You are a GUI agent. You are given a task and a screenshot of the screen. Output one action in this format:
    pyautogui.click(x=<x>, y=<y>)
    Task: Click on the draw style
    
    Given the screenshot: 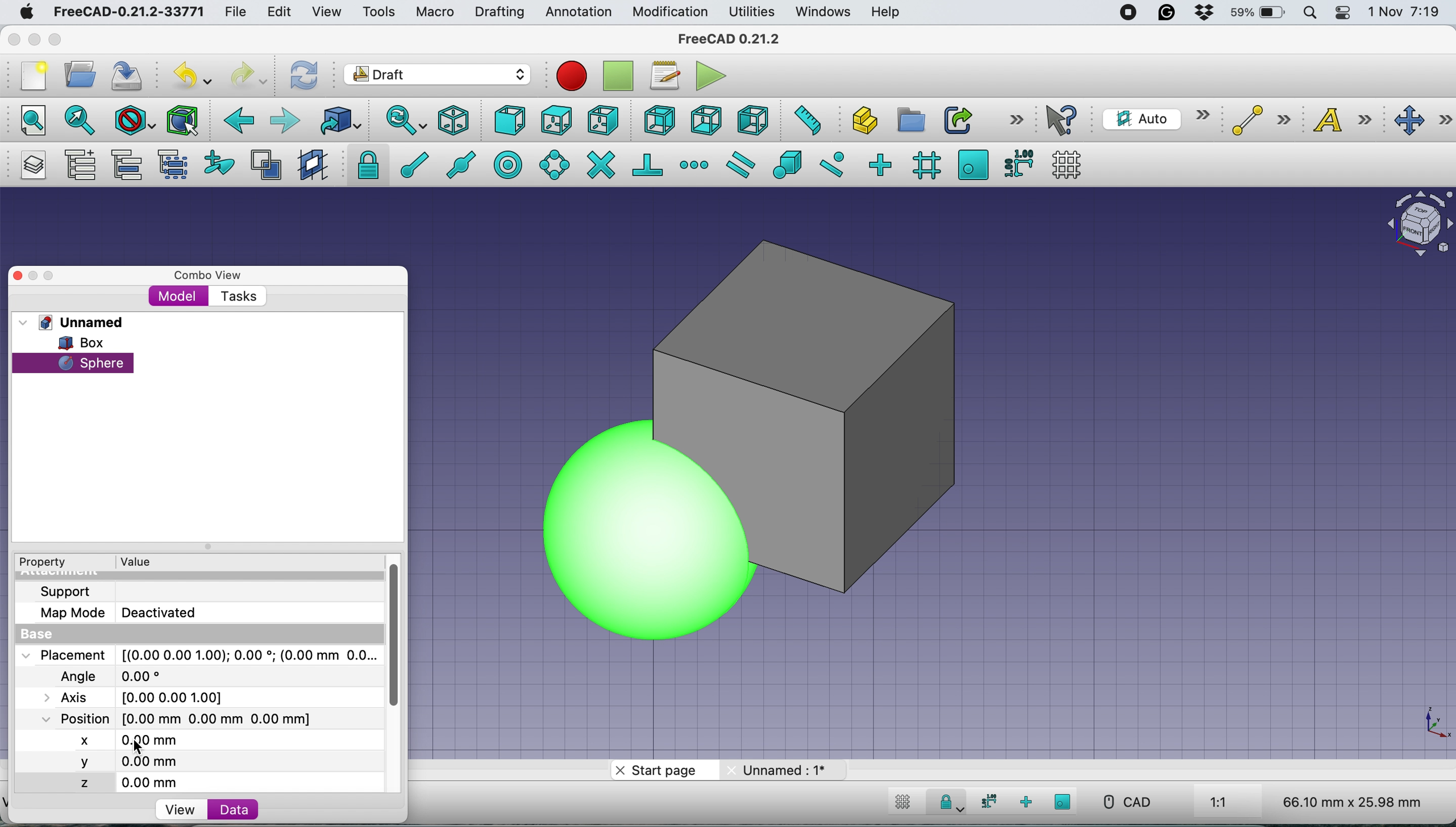 What is the action you would take?
    pyautogui.click(x=135, y=122)
    